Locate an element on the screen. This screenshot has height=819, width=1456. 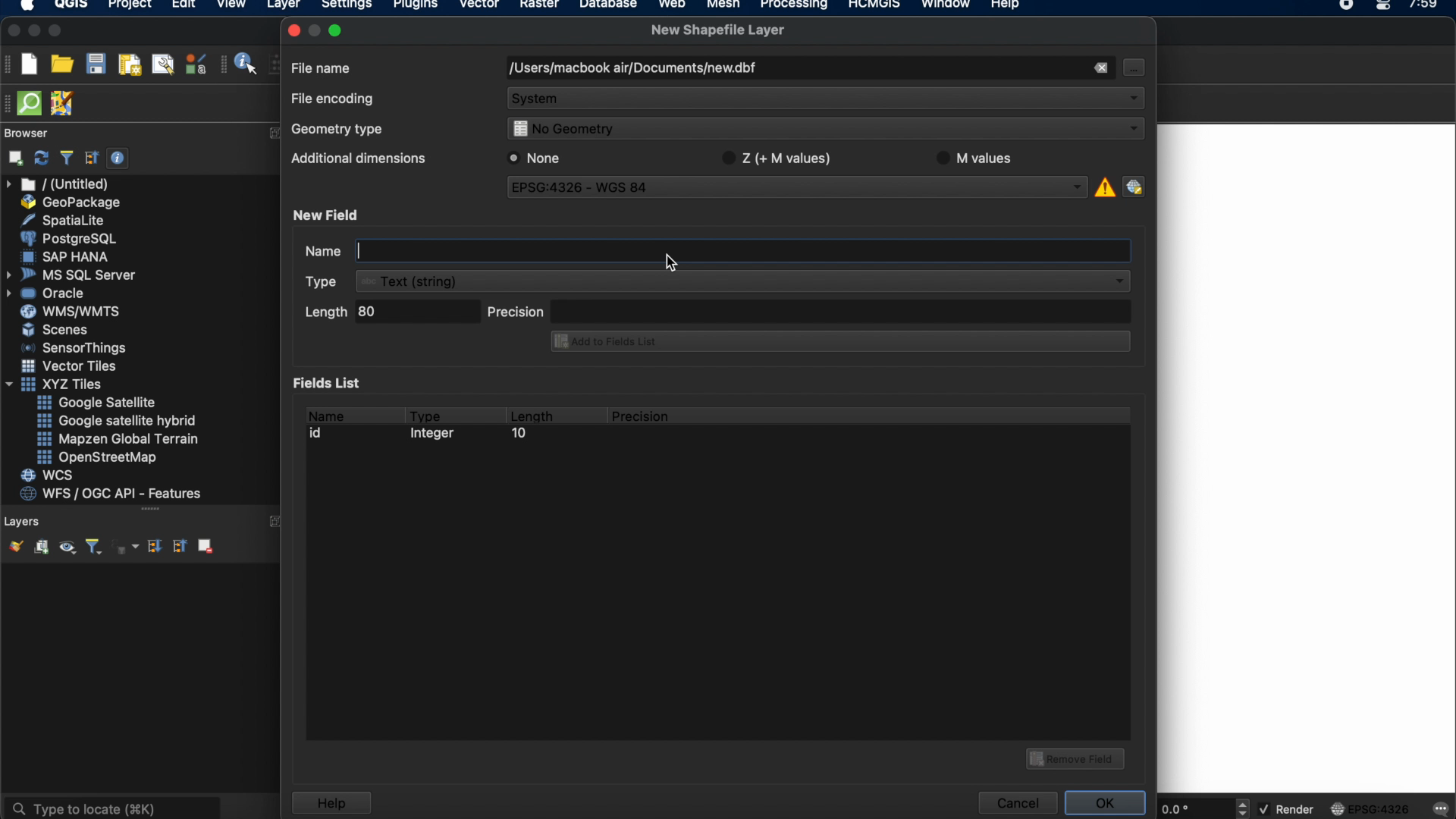
web is located at coordinates (673, 6).